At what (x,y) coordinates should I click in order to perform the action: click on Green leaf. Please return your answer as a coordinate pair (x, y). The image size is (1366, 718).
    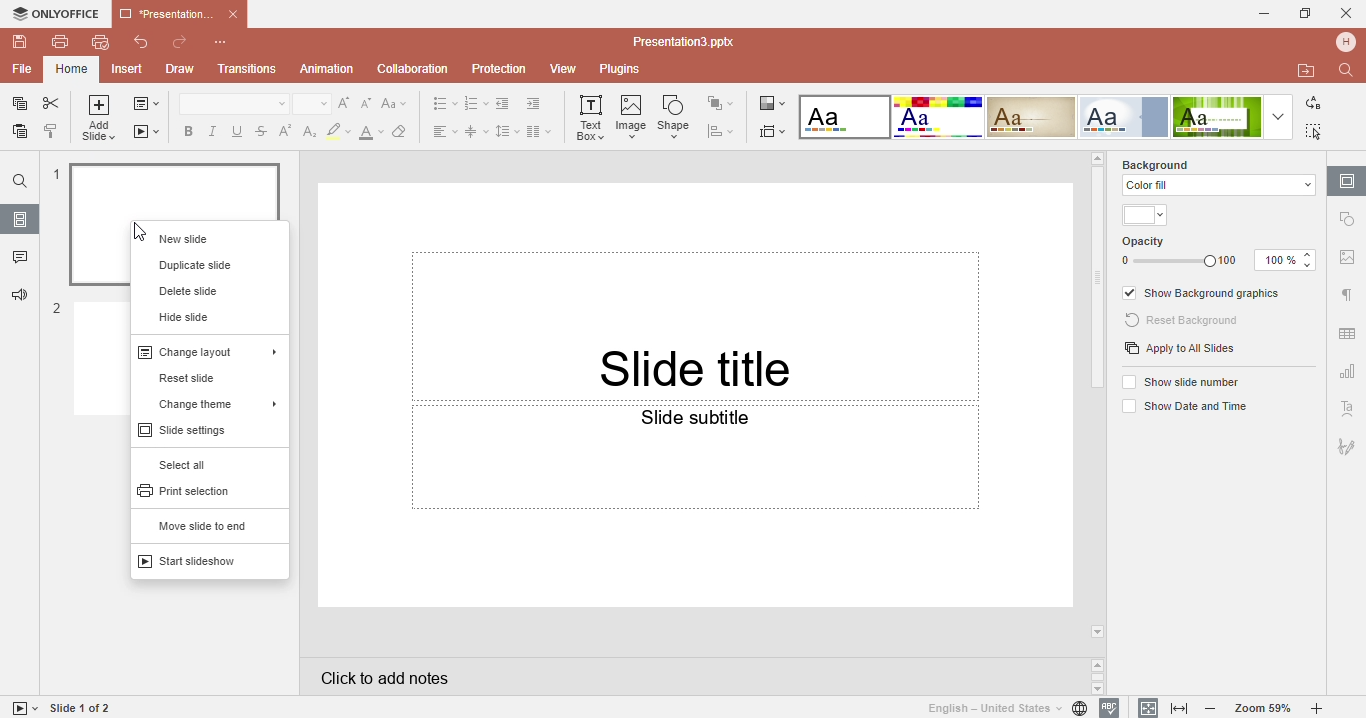
    Looking at the image, I should click on (1216, 117).